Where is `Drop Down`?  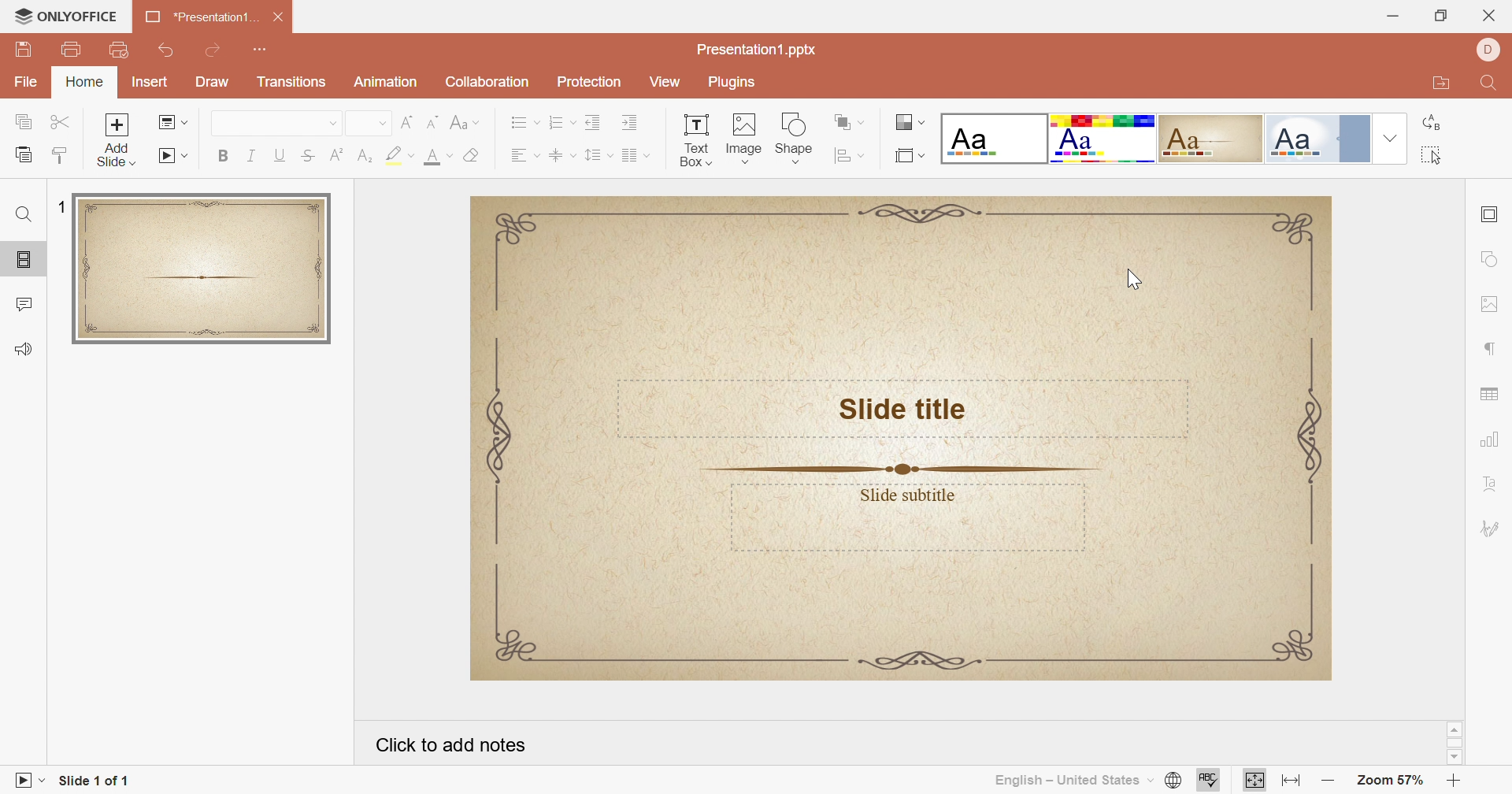
Drop Down is located at coordinates (867, 121).